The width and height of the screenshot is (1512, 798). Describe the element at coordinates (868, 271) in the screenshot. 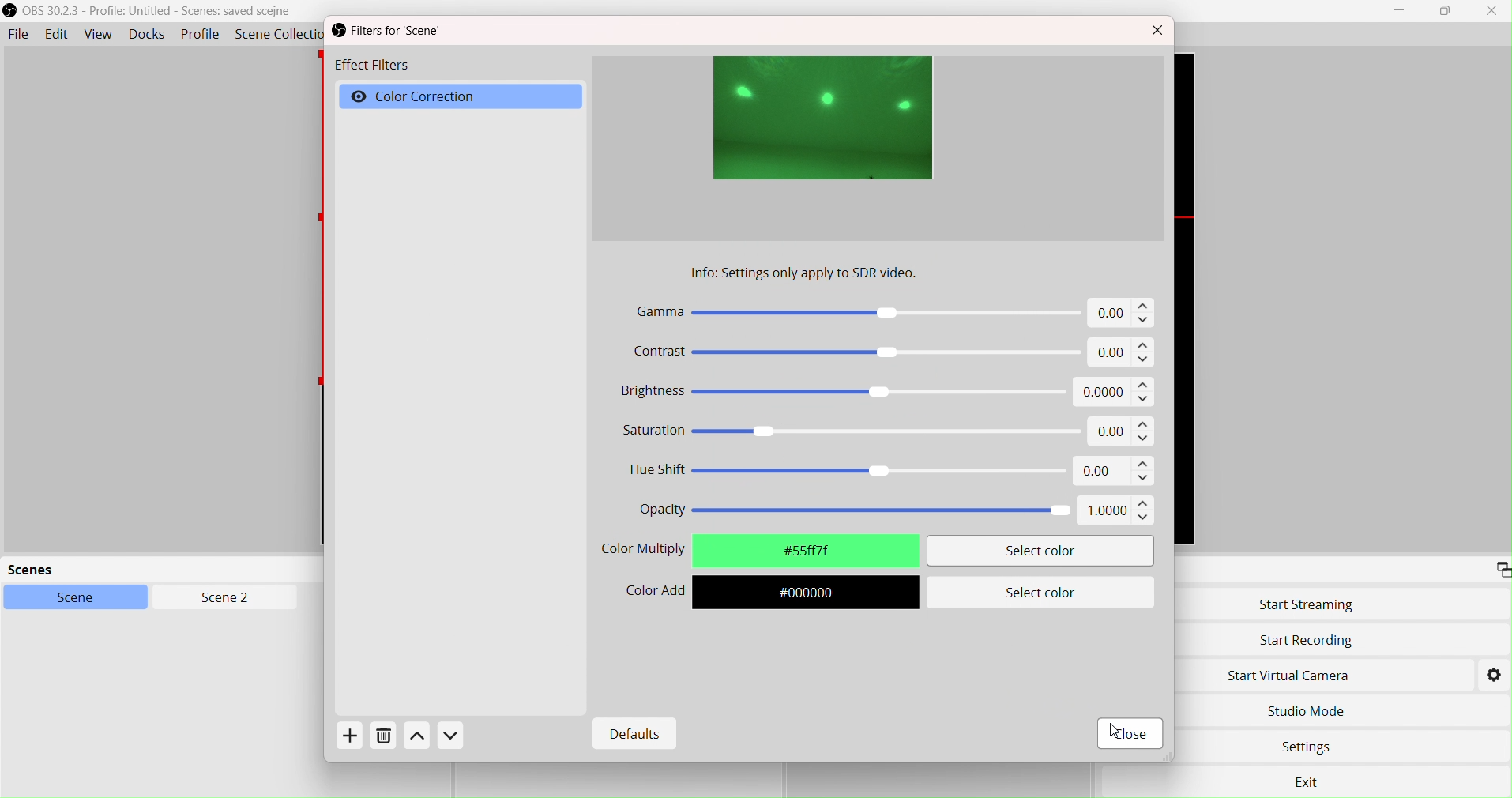

I see `Info settings only apply to SDR video` at that location.